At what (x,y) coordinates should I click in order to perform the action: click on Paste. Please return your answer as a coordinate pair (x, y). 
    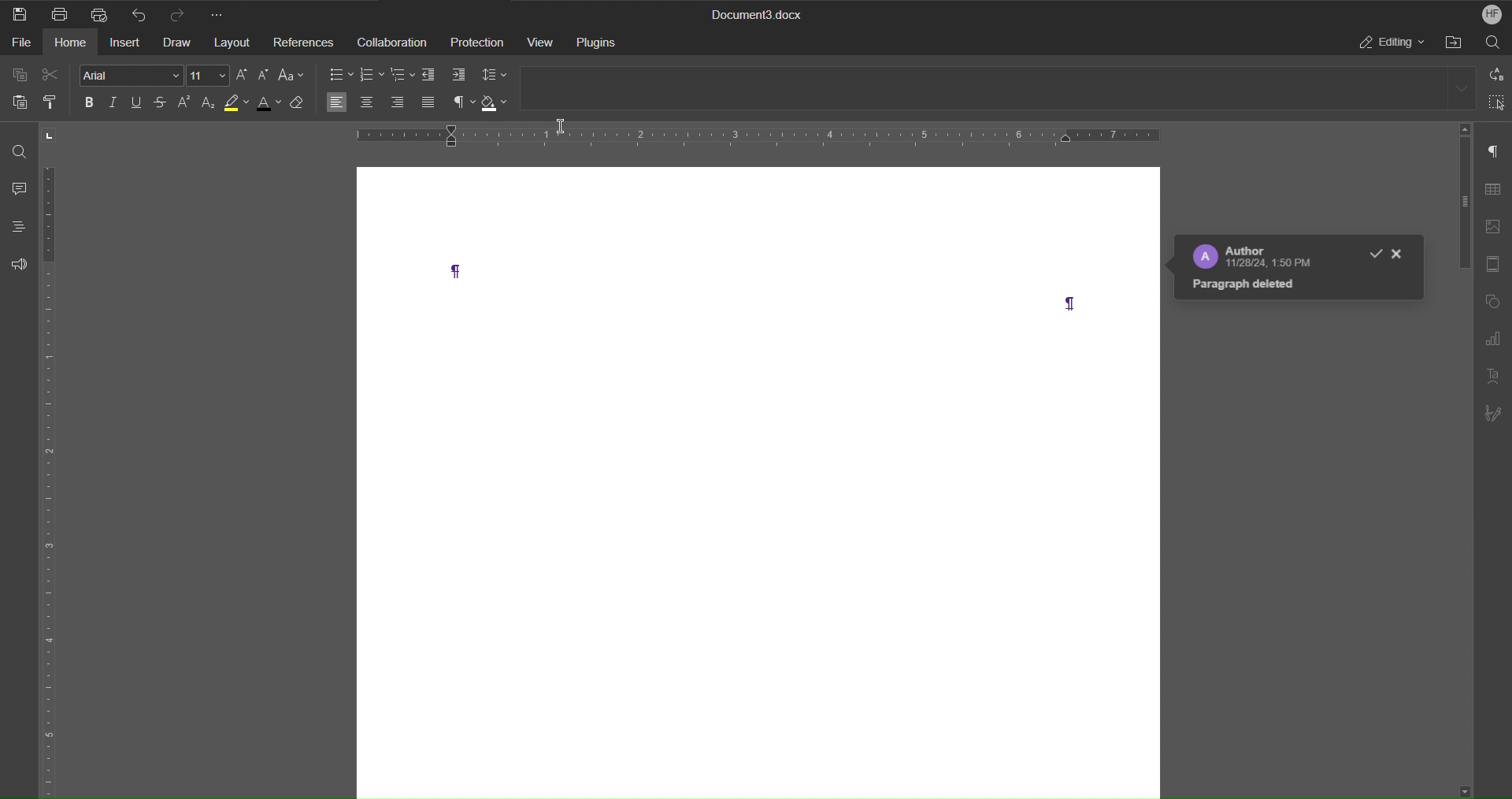
    Looking at the image, I should click on (22, 102).